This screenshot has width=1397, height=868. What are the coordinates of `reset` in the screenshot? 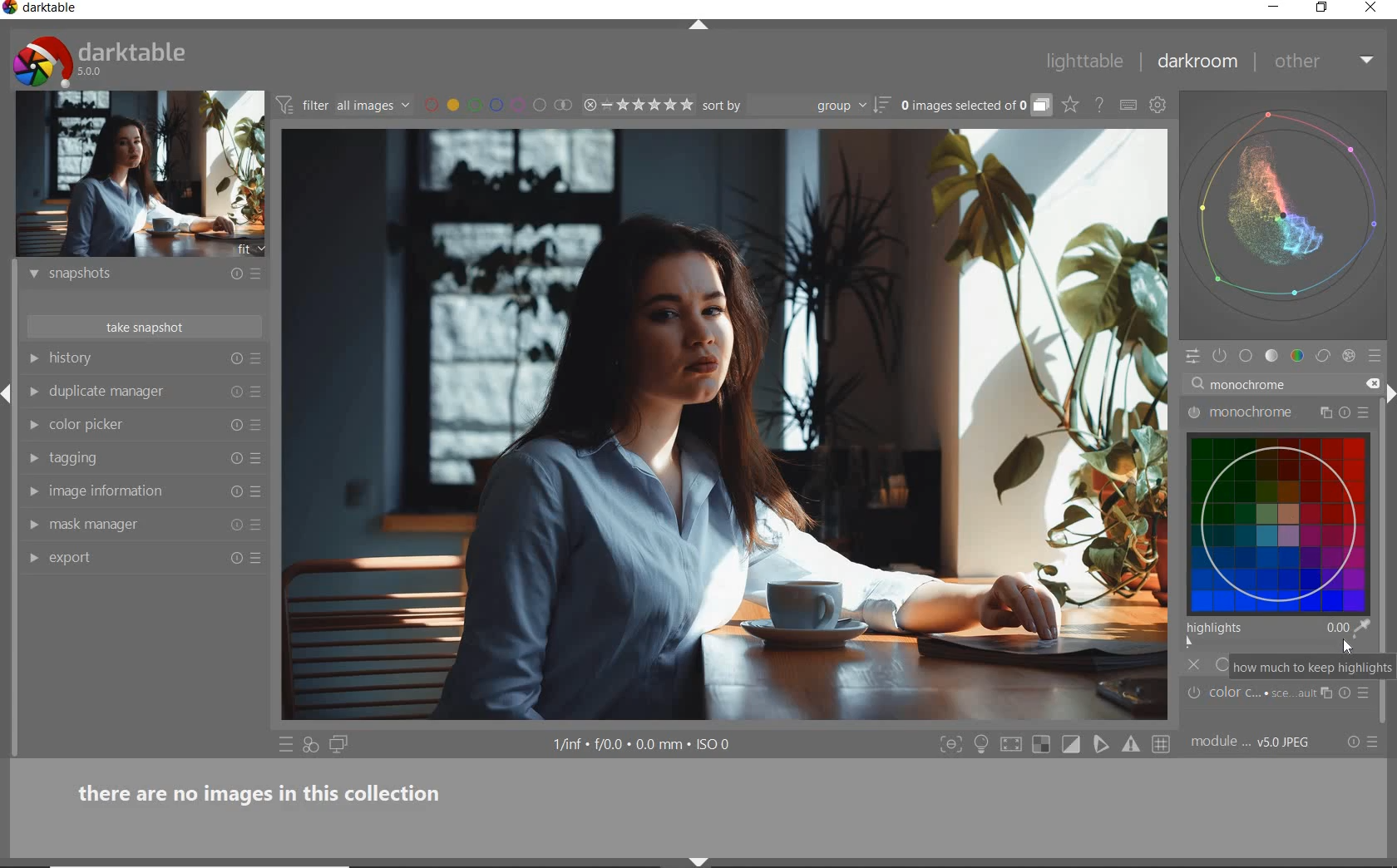 It's located at (232, 276).